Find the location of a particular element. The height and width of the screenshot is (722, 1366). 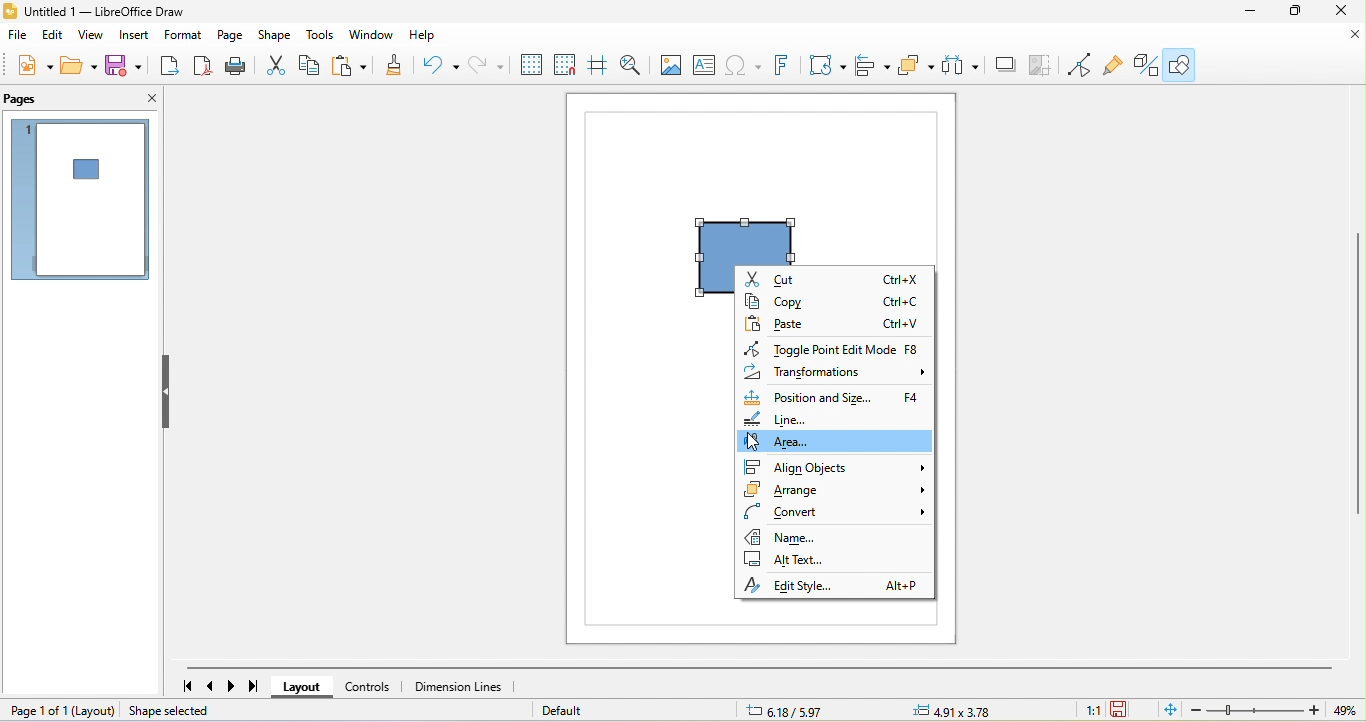

transformation is located at coordinates (837, 371).